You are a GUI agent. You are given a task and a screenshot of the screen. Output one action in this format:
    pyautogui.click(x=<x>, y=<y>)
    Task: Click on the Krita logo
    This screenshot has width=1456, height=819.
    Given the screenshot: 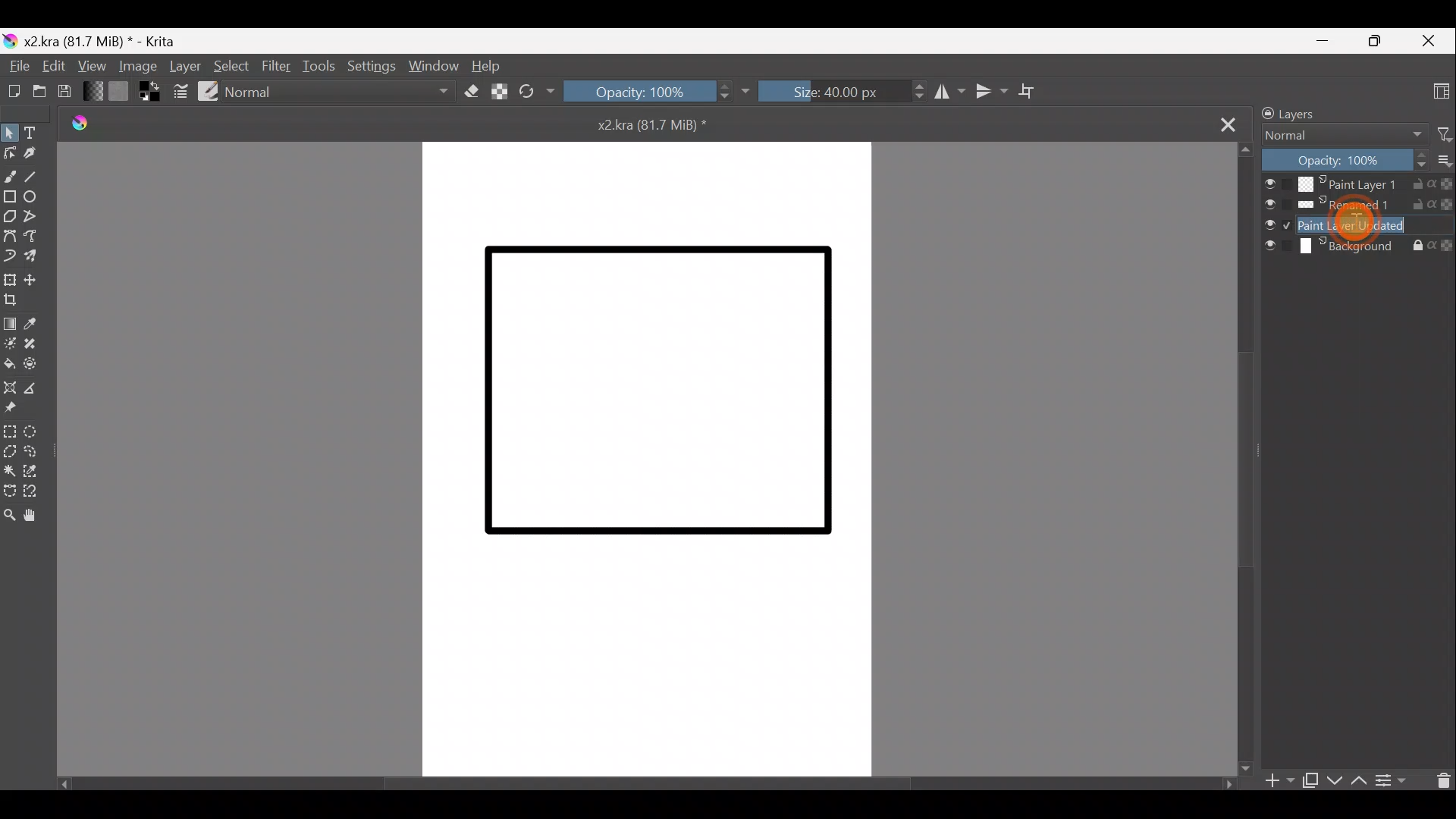 What is the action you would take?
    pyautogui.click(x=84, y=122)
    